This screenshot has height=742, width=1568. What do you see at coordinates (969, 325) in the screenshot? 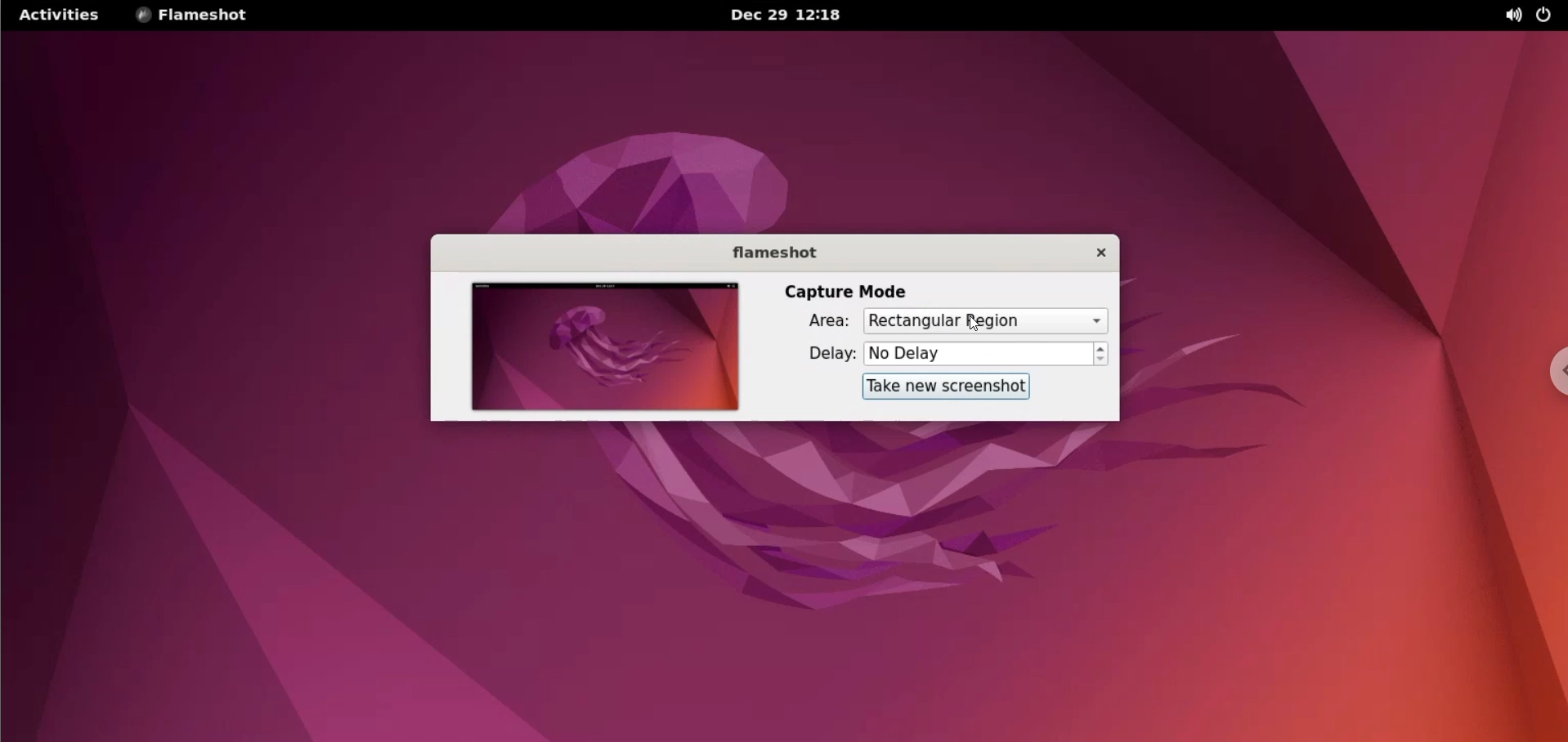
I see `cursor` at bounding box center [969, 325].